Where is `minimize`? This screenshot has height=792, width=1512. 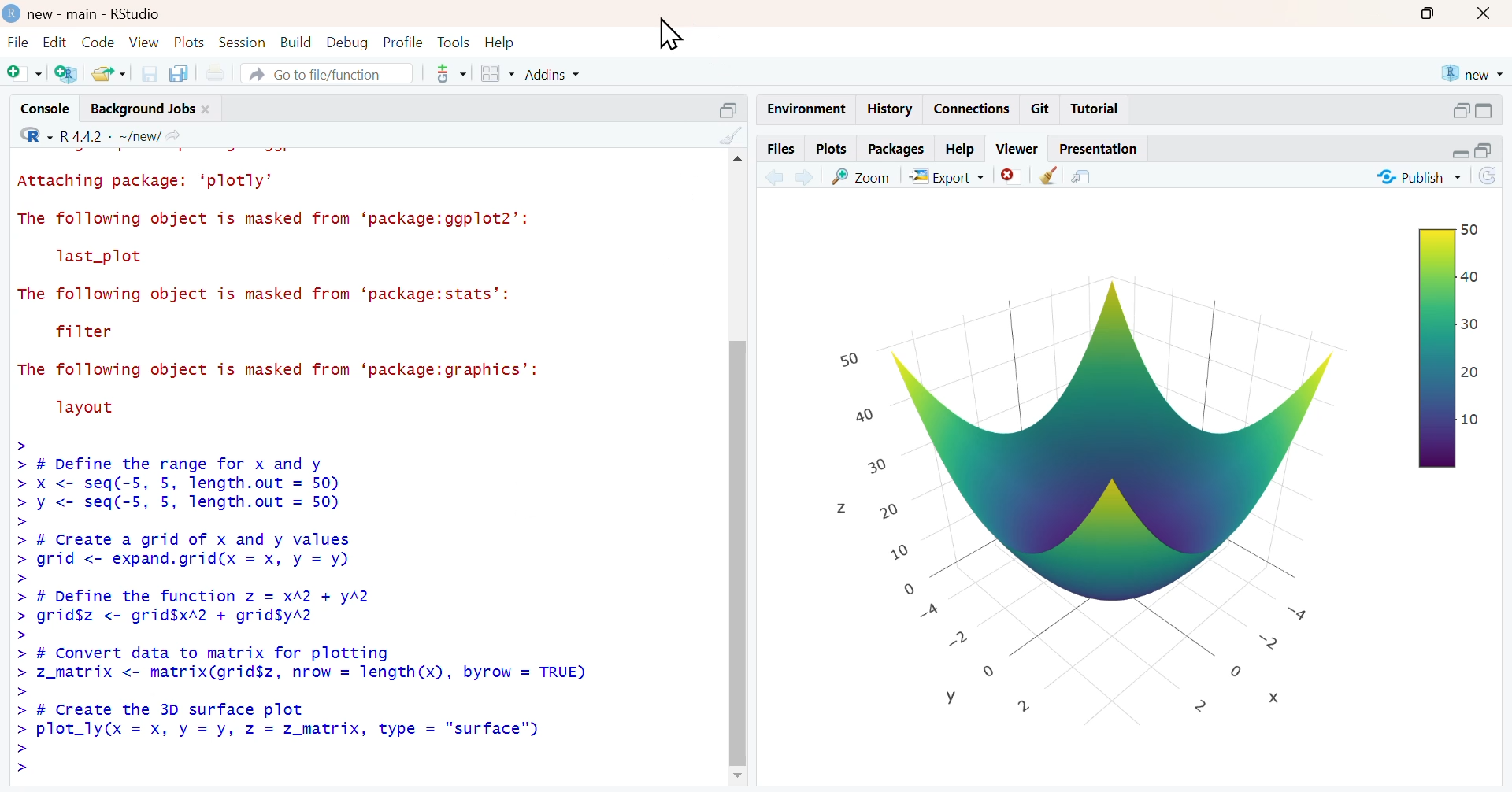
minimize is located at coordinates (1458, 155).